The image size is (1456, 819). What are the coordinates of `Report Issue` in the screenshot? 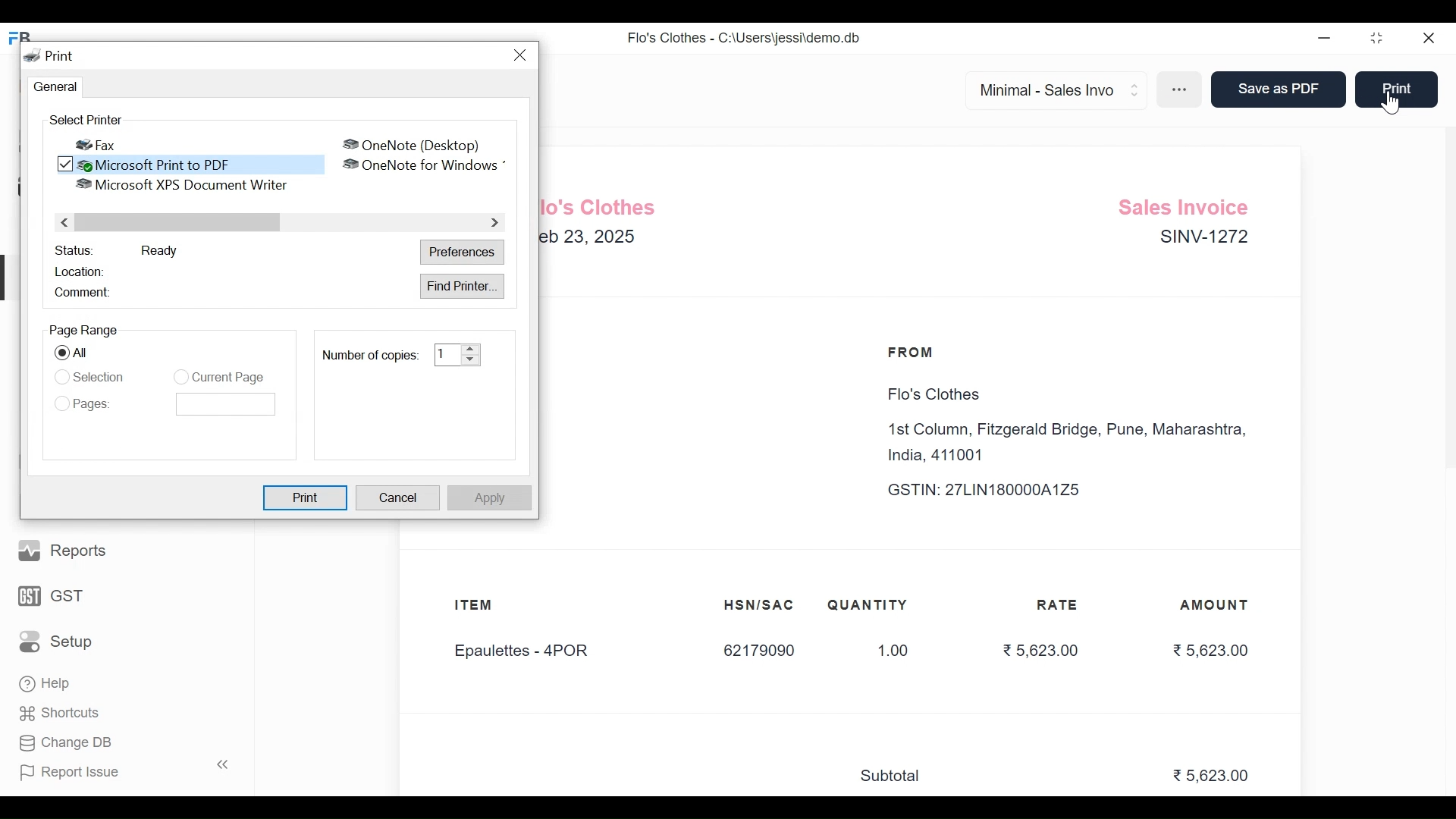 It's located at (120, 771).